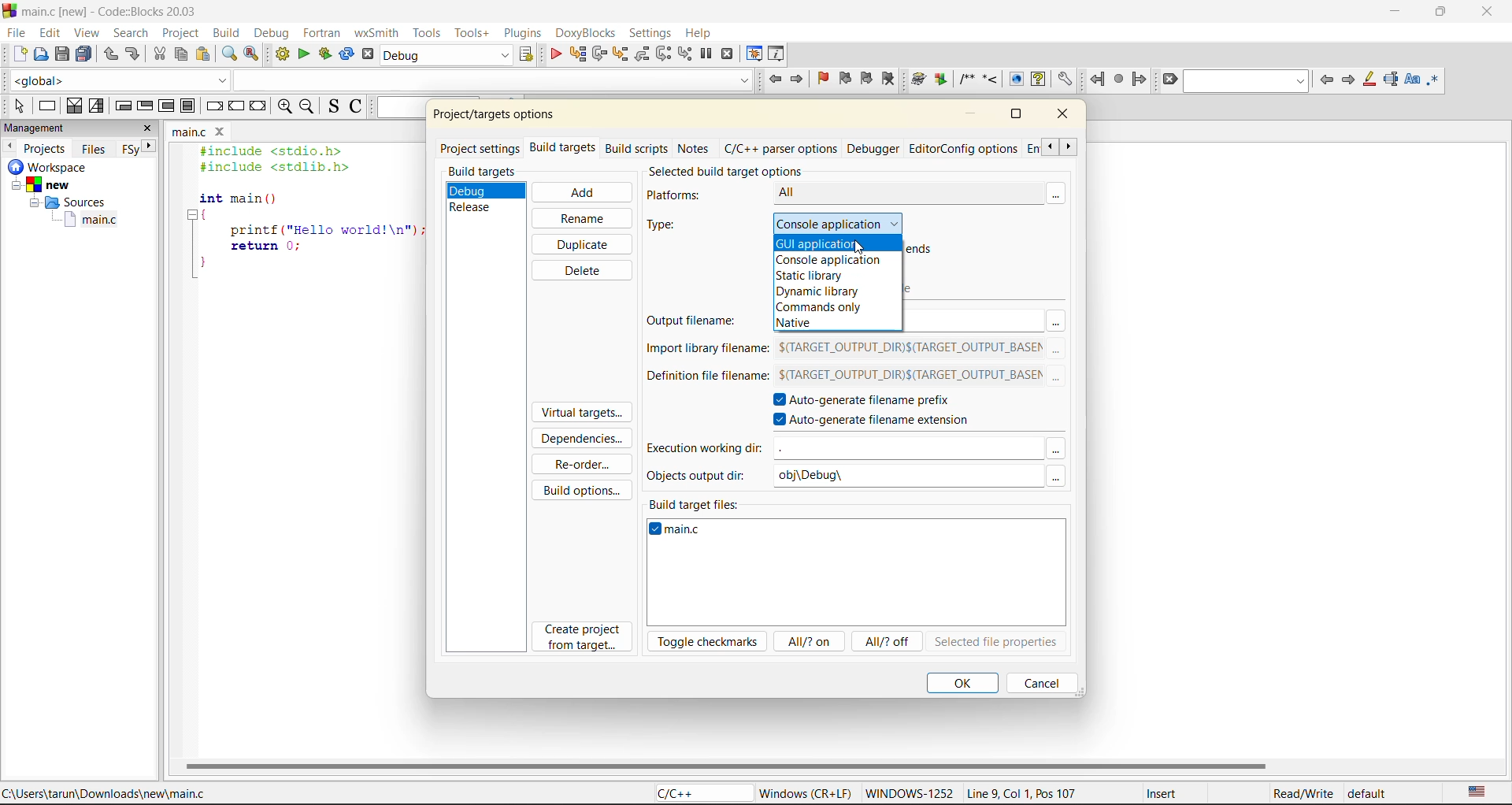 The width and height of the screenshot is (1512, 805). What do you see at coordinates (46, 148) in the screenshot?
I see `projects` at bounding box center [46, 148].